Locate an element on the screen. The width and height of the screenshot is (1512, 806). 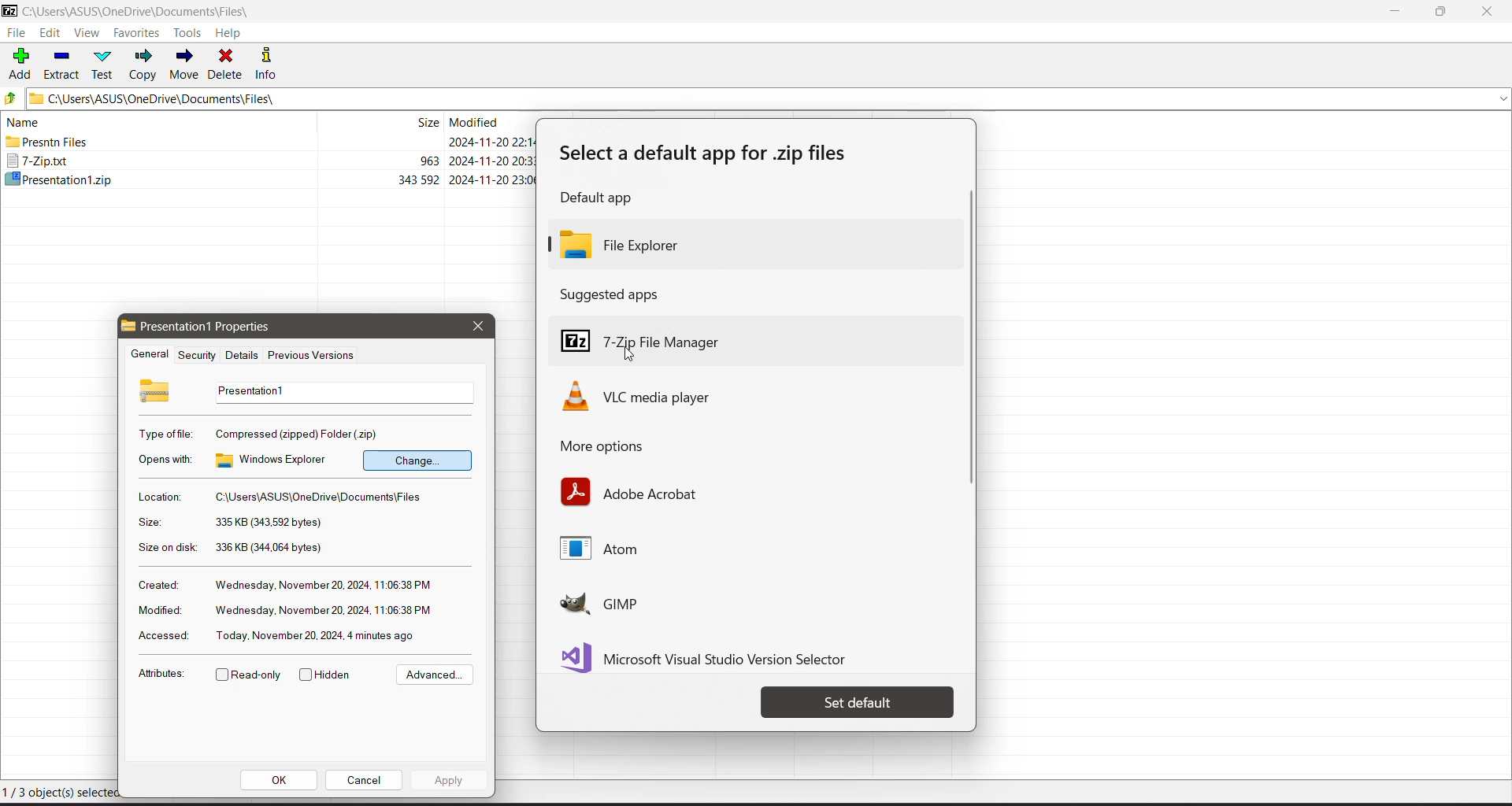
OK is located at coordinates (280, 780).